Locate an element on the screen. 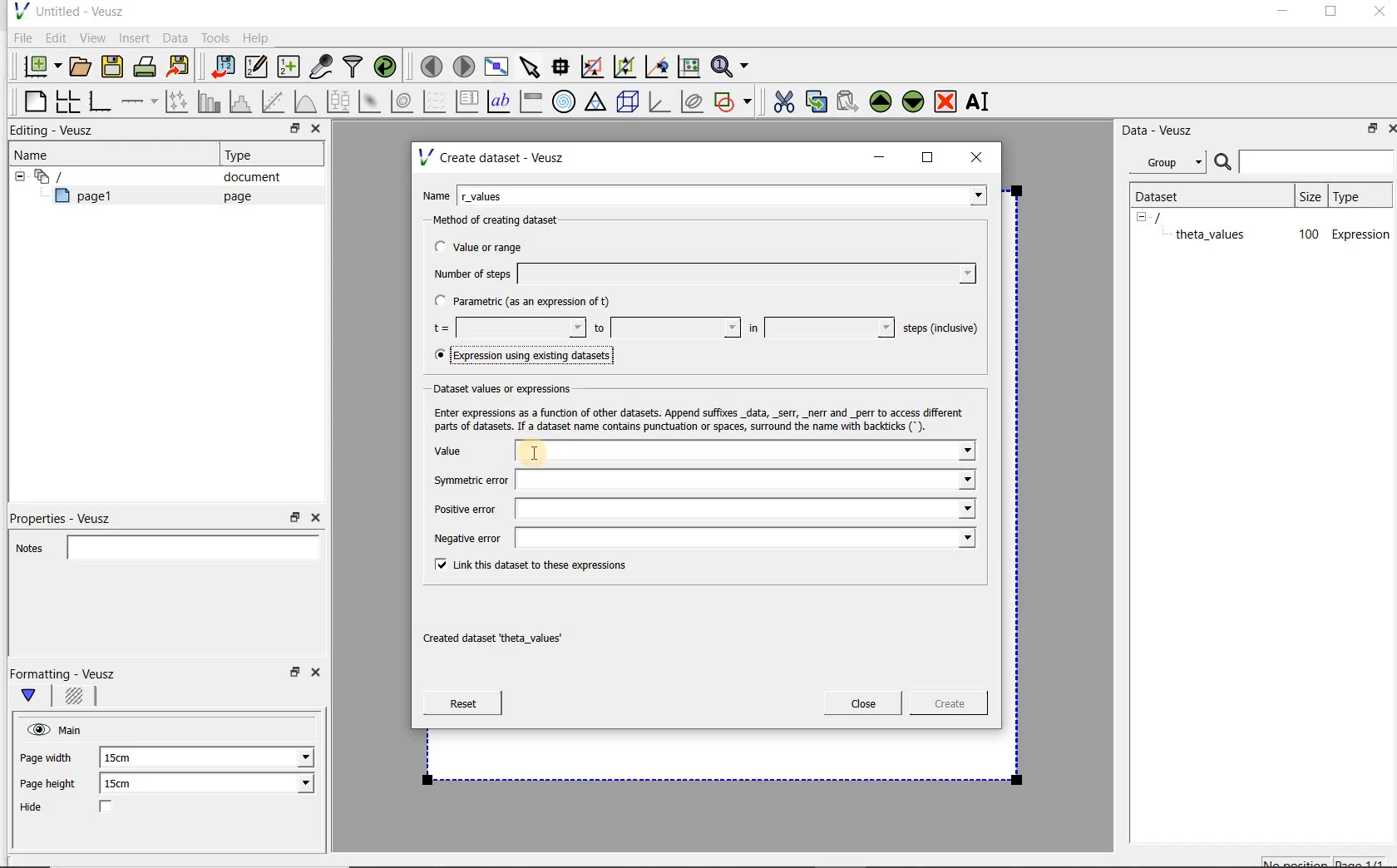 This screenshot has height=868, width=1397. to is located at coordinates (665, 328).